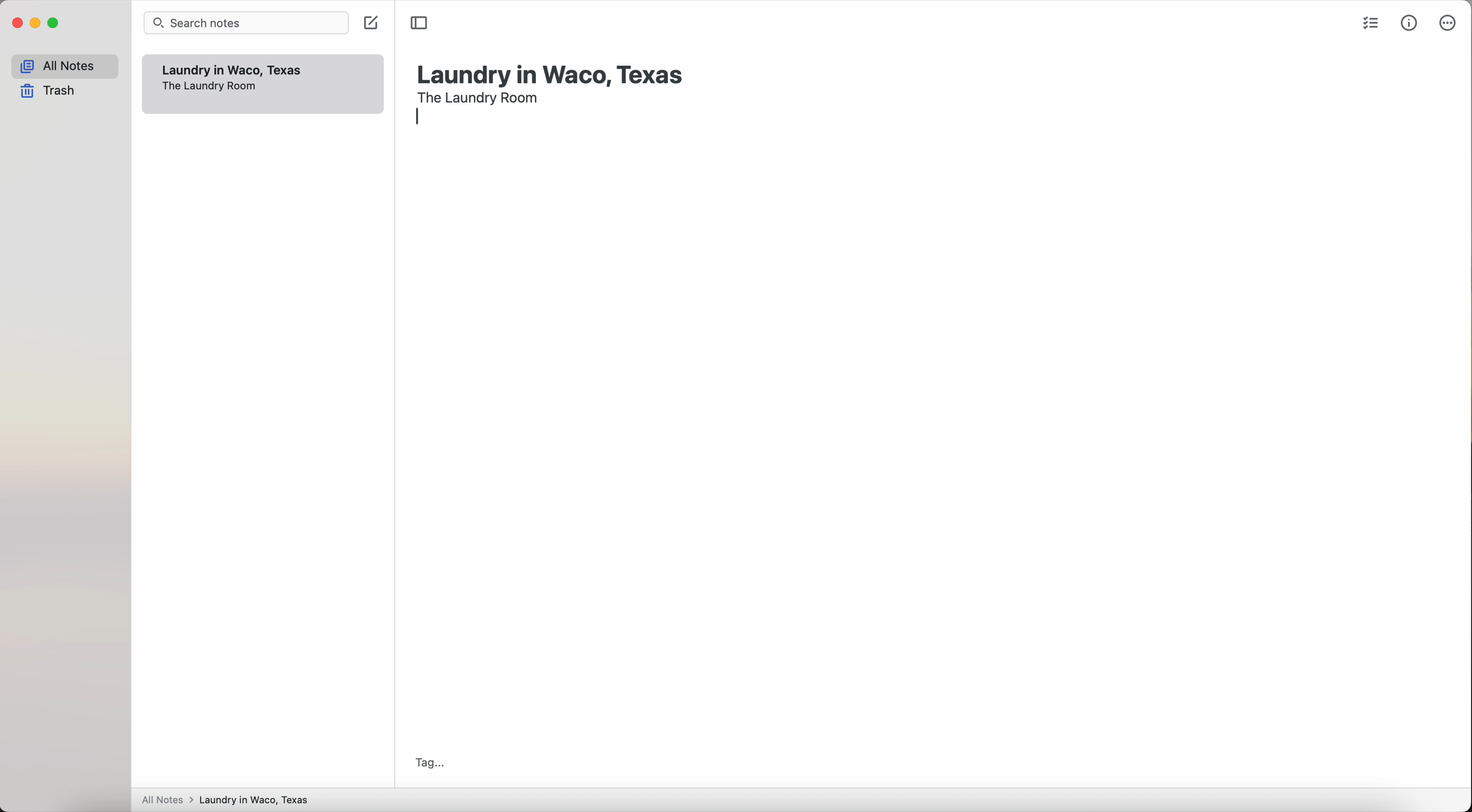 The width and height of the screenshot is (1472, 812). What do you see at coordinates (209, 87) in the screenshot?
I see `the laundry room` at bounding box center [209, 87].